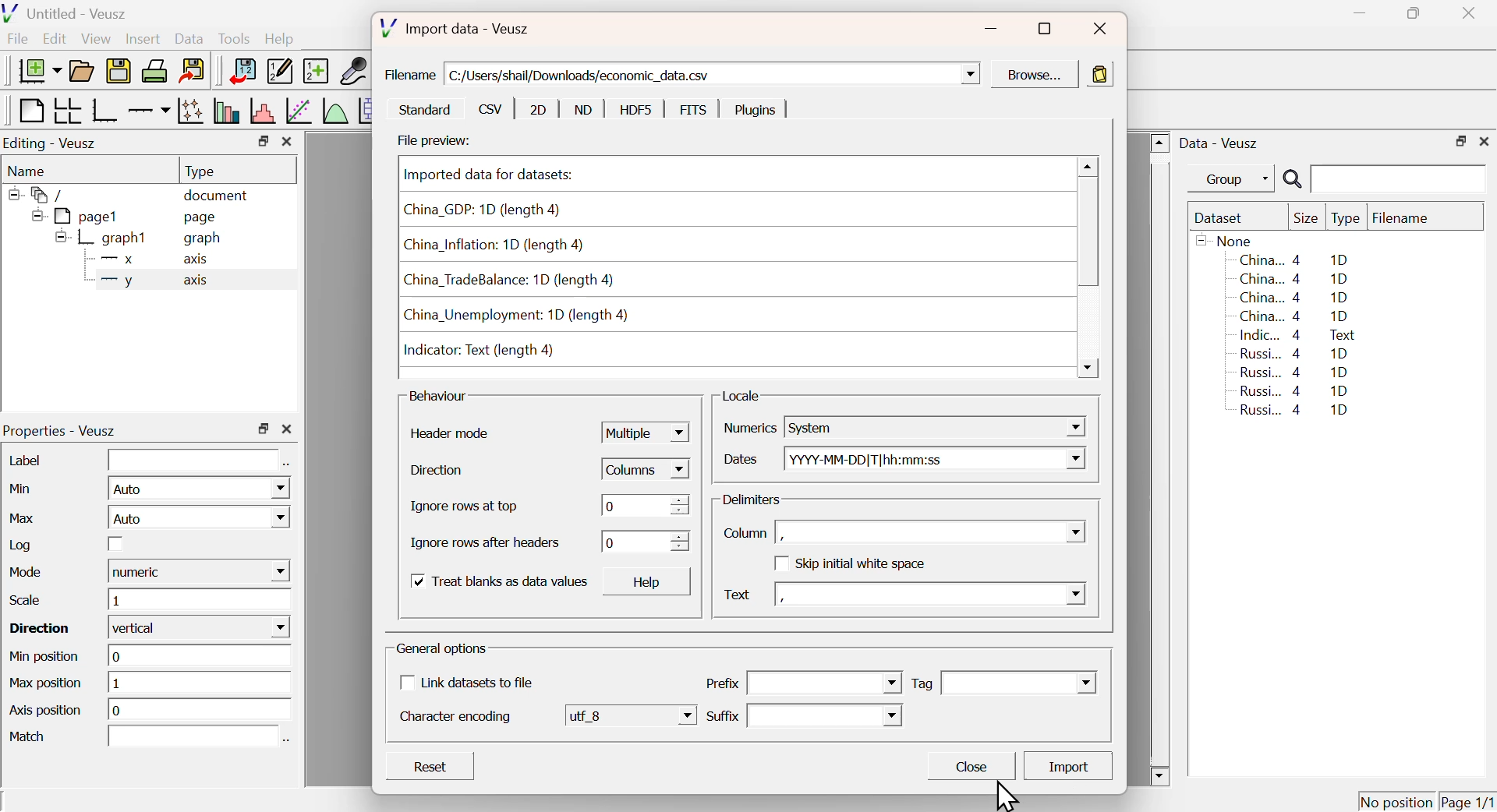 This screenshot has width=1497, height=812. Describe the element at coordinates (1030, 76) in the screenshot. I see `Browse...` at that location.